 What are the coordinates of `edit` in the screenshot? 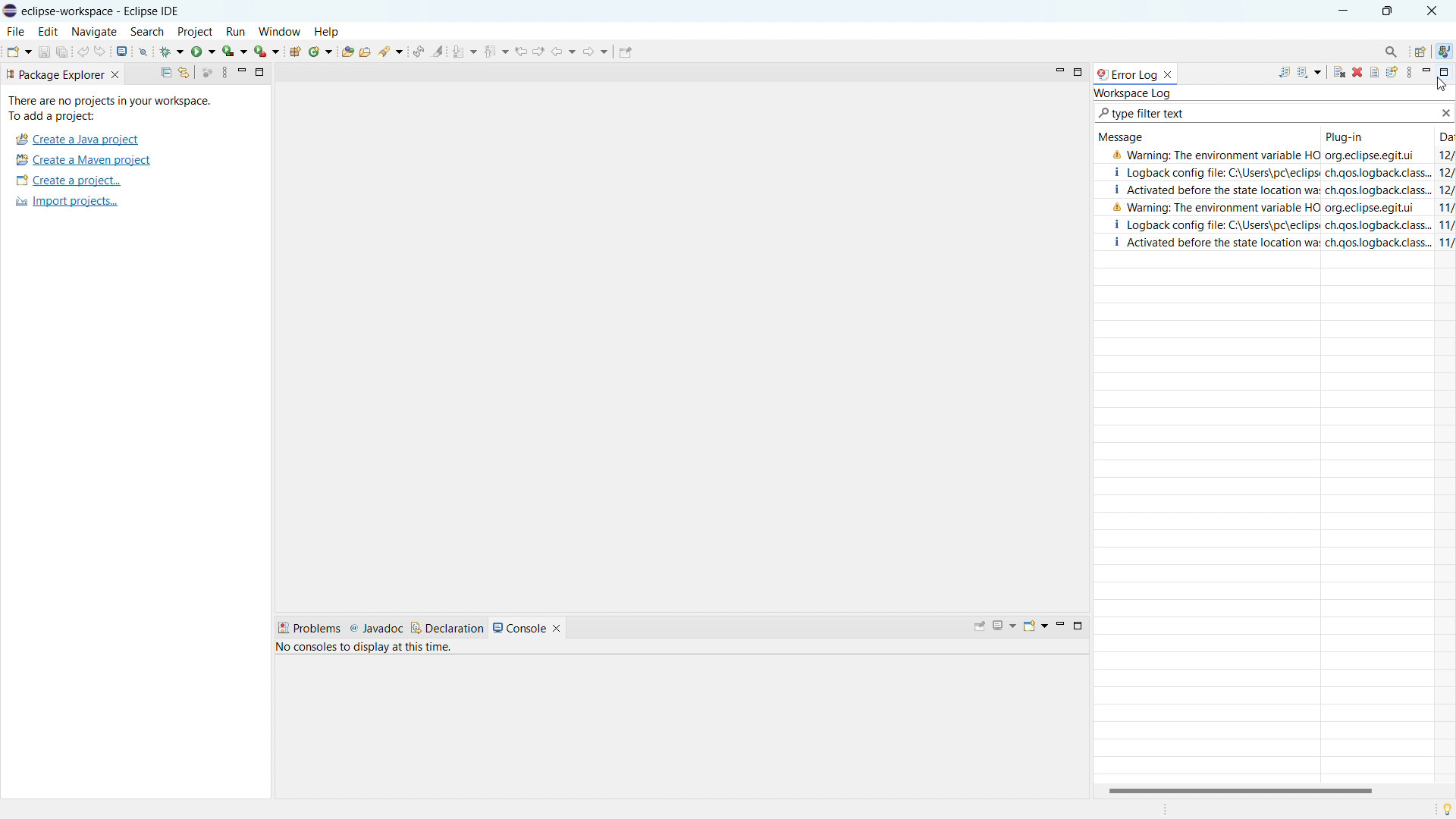 It's located at (49, 31).